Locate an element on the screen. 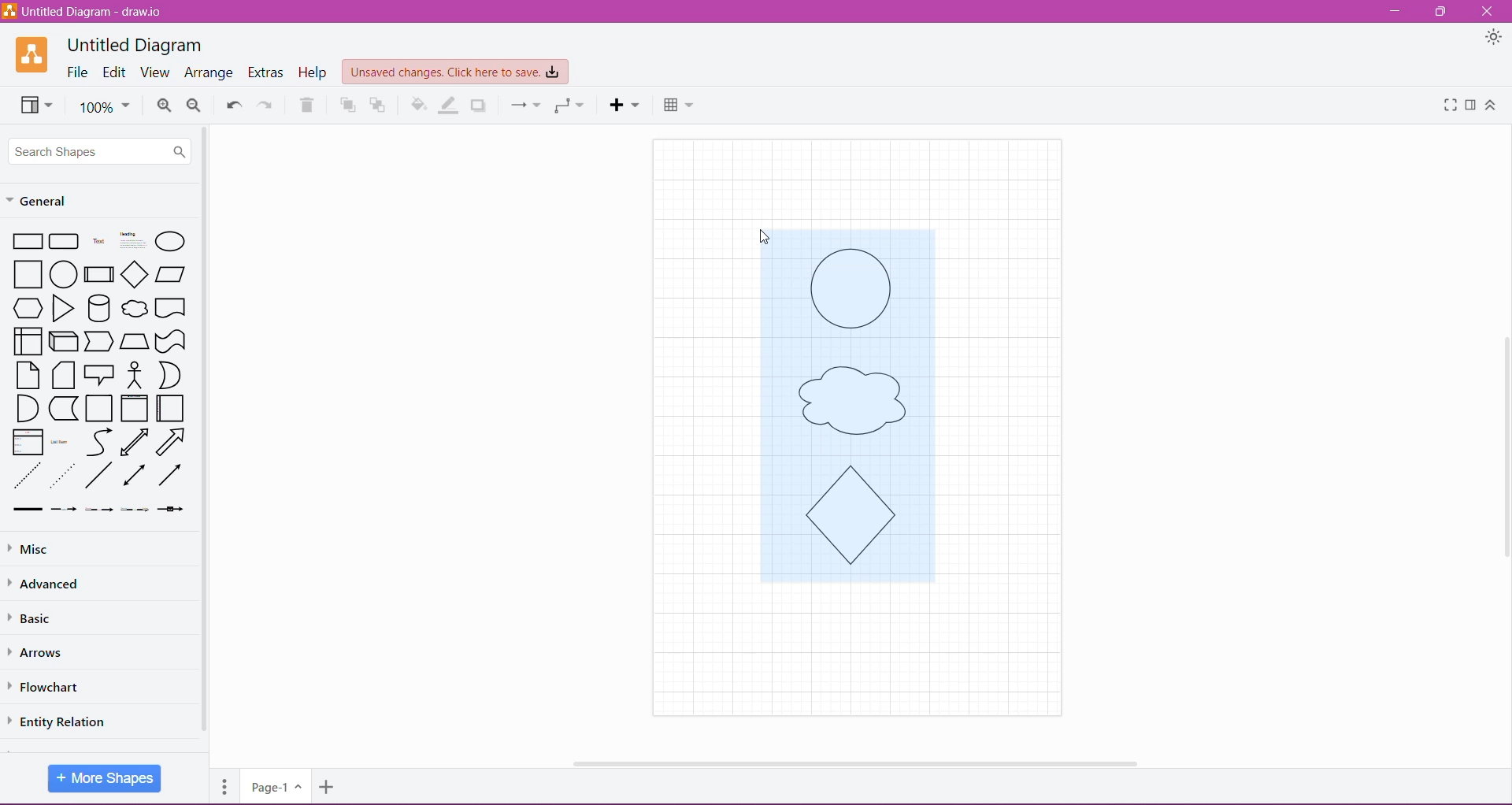 The image size is (1512, 805). Search Shapes is located at coordinates (101, 150).